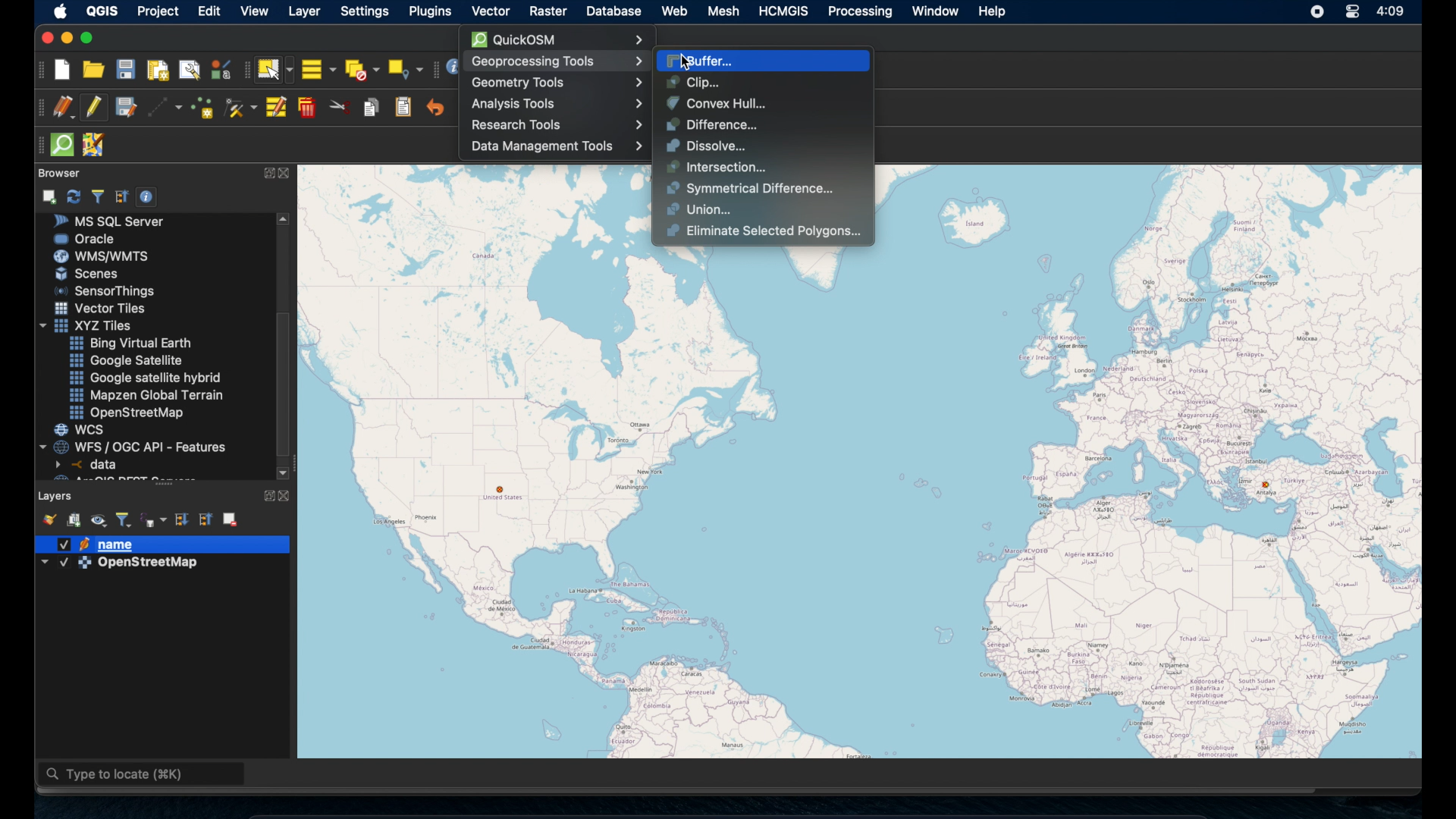 Image resolution: width=1456 pixels, height=819 pixels. Describe the element at coordinates (99, 521) in the screenshot. I see `manage map. themes` at that location.